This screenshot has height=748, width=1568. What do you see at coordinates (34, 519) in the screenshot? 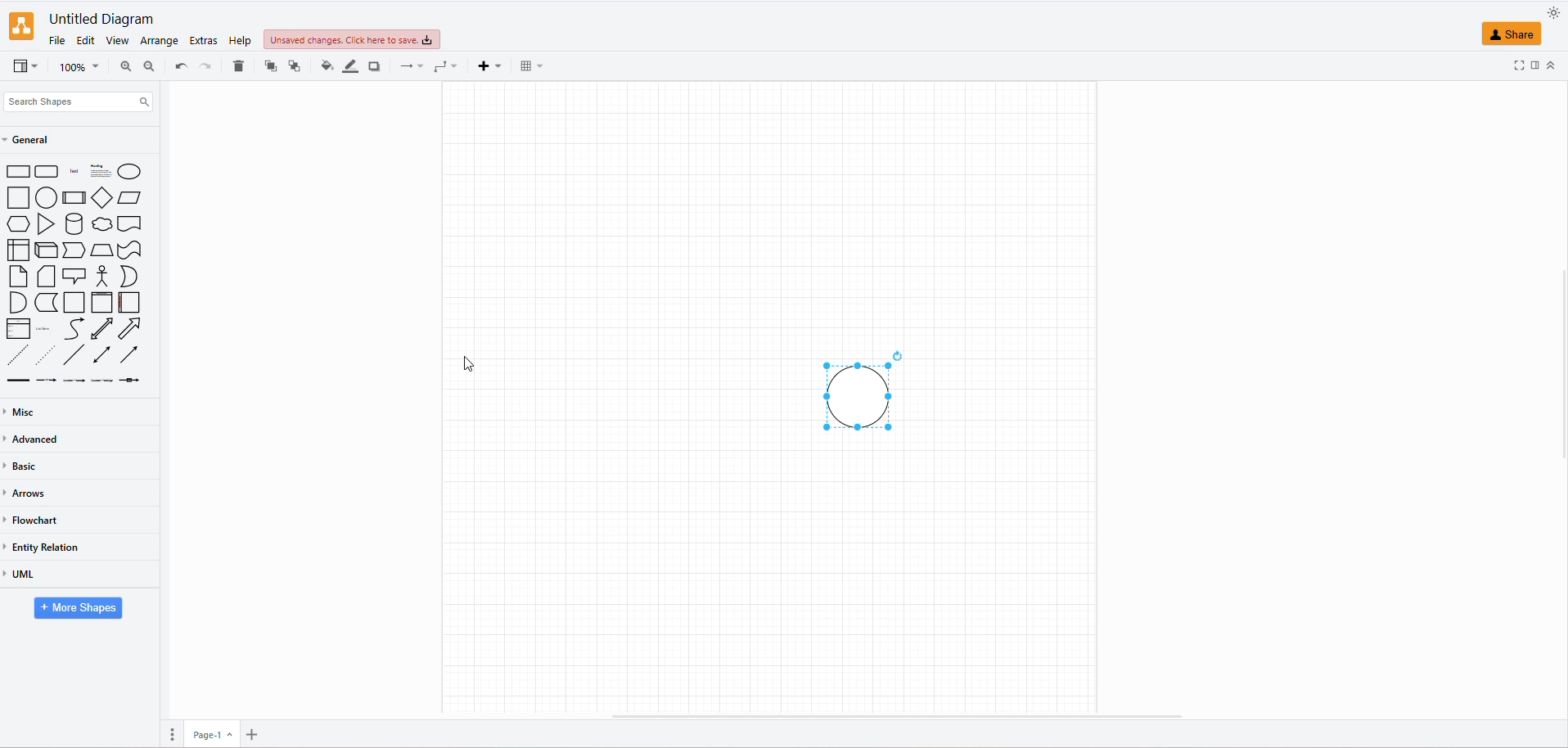
I see `FLOWCHART` at bounding box center [34, 519].